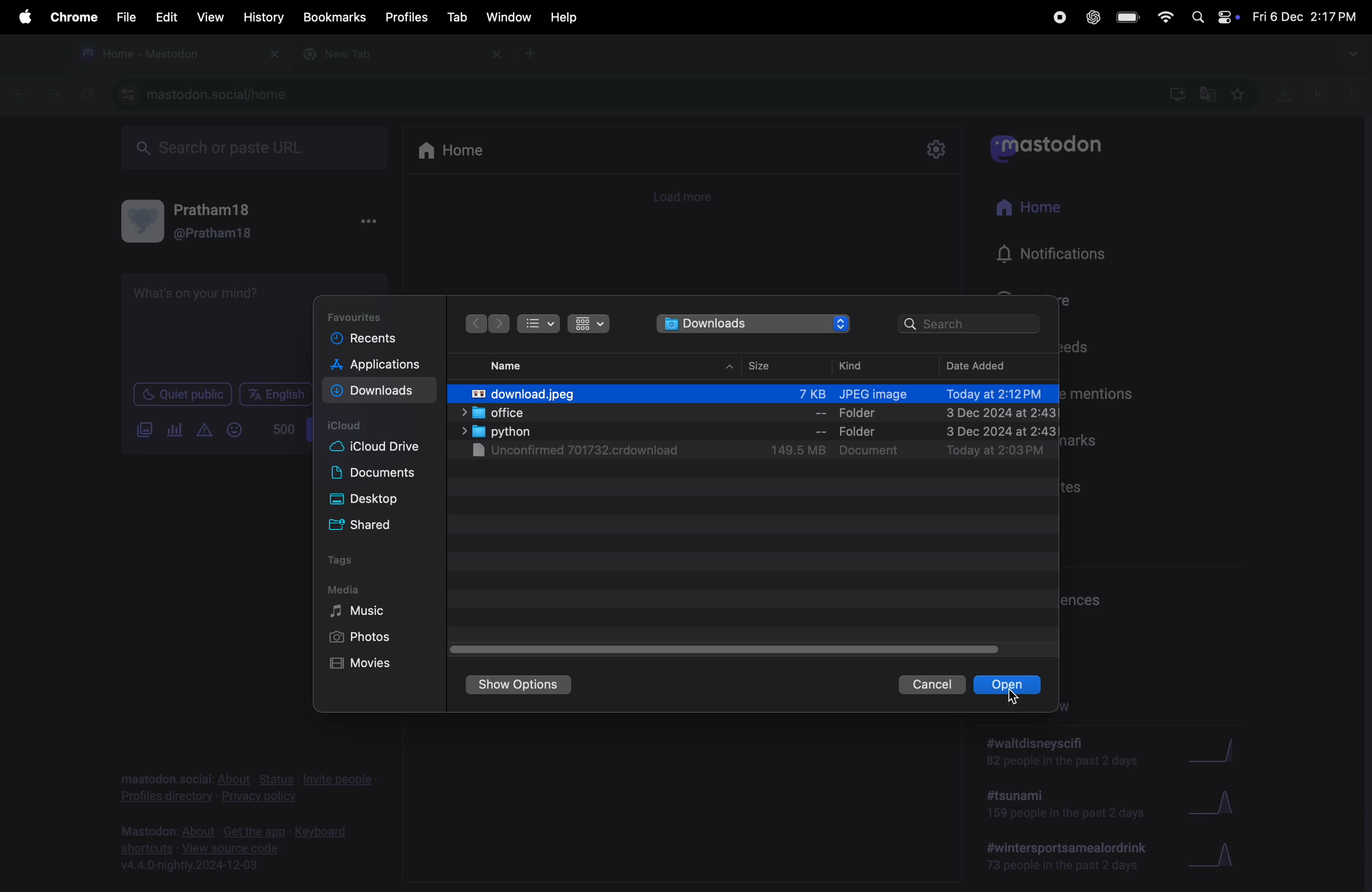 This screenshot has height=892, width=1372. Describe the element at coordinates (1129, 18) in the screenshot. I see `battery` at that location.